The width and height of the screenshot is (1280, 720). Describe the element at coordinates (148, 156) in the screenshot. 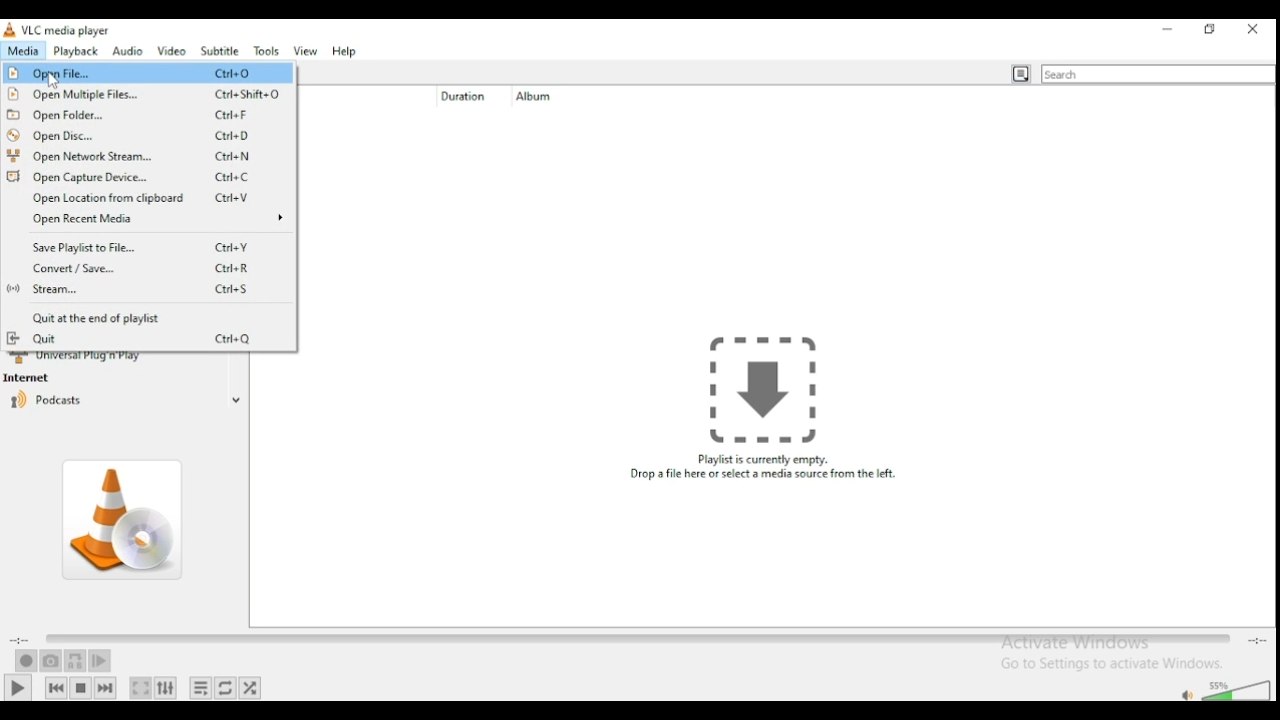

I see `open network streams` at that location.